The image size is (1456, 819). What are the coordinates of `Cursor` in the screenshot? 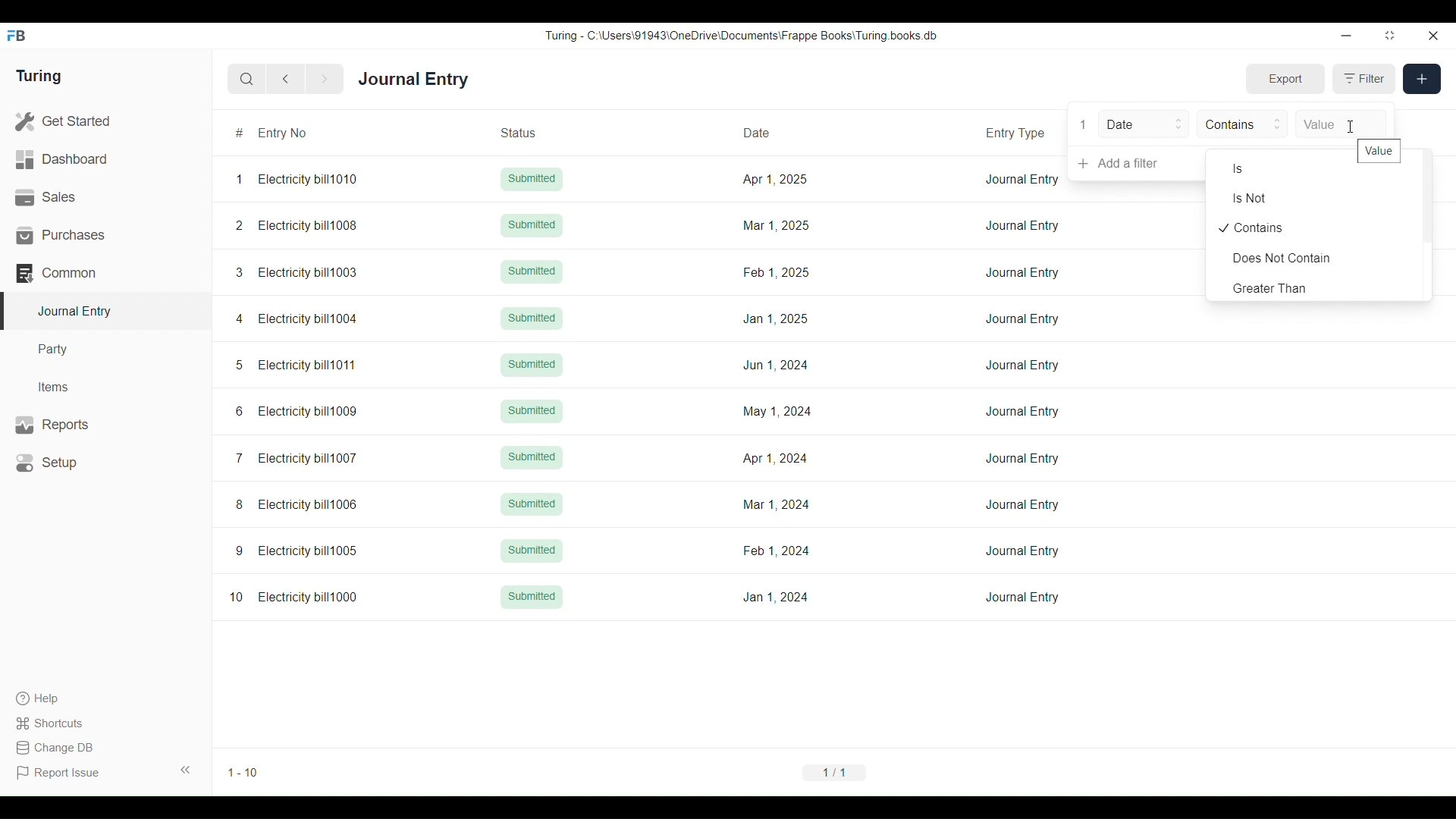 It's located at (1352, 127).